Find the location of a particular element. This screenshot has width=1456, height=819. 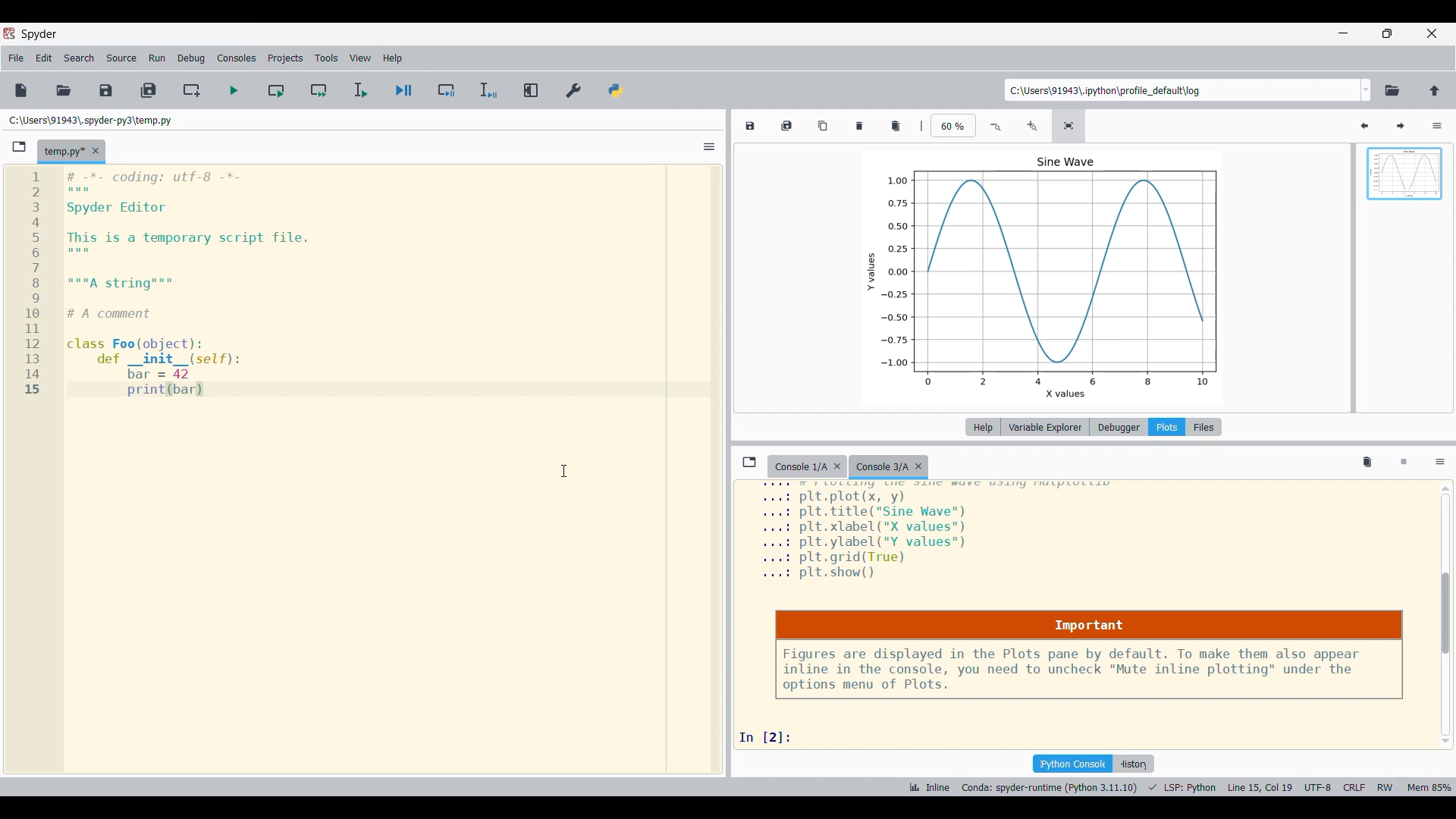

Change to parent directory is located at coordinates (1435, 90).